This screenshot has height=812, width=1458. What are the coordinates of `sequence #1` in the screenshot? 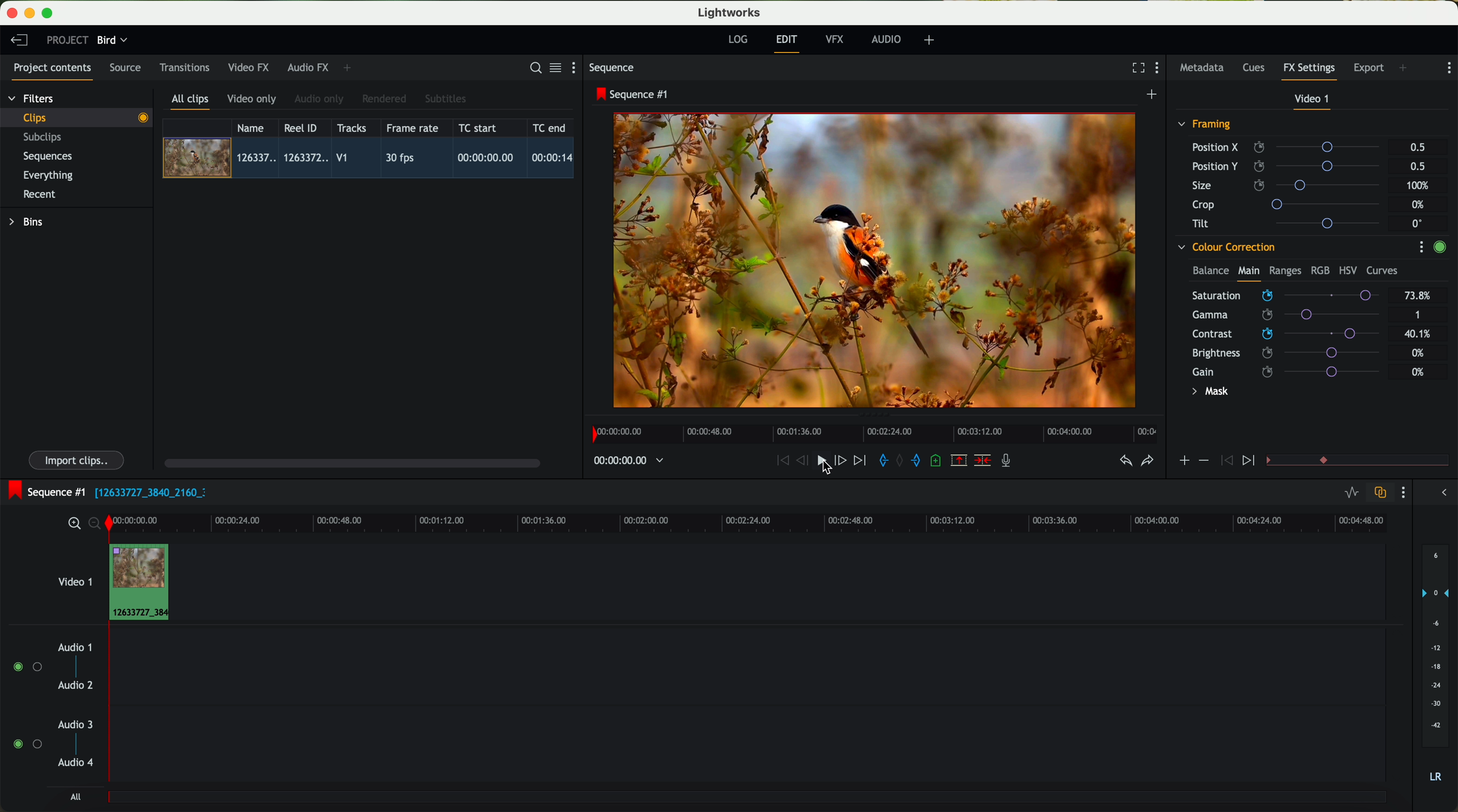 It's located at (44, 492).